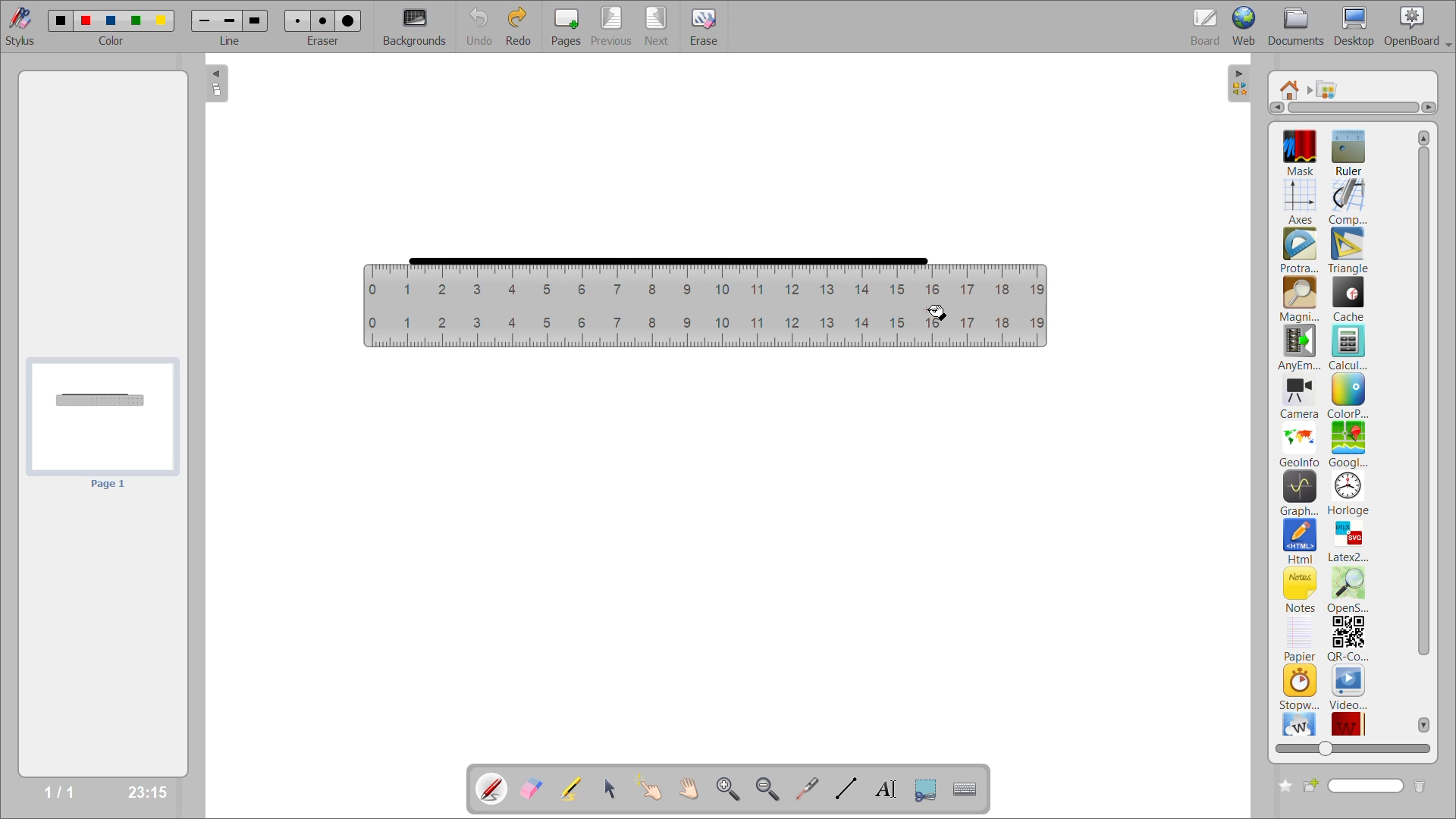  Describe the element at coordinates (522, 25) in the screenshot. I see `redo` at that location.